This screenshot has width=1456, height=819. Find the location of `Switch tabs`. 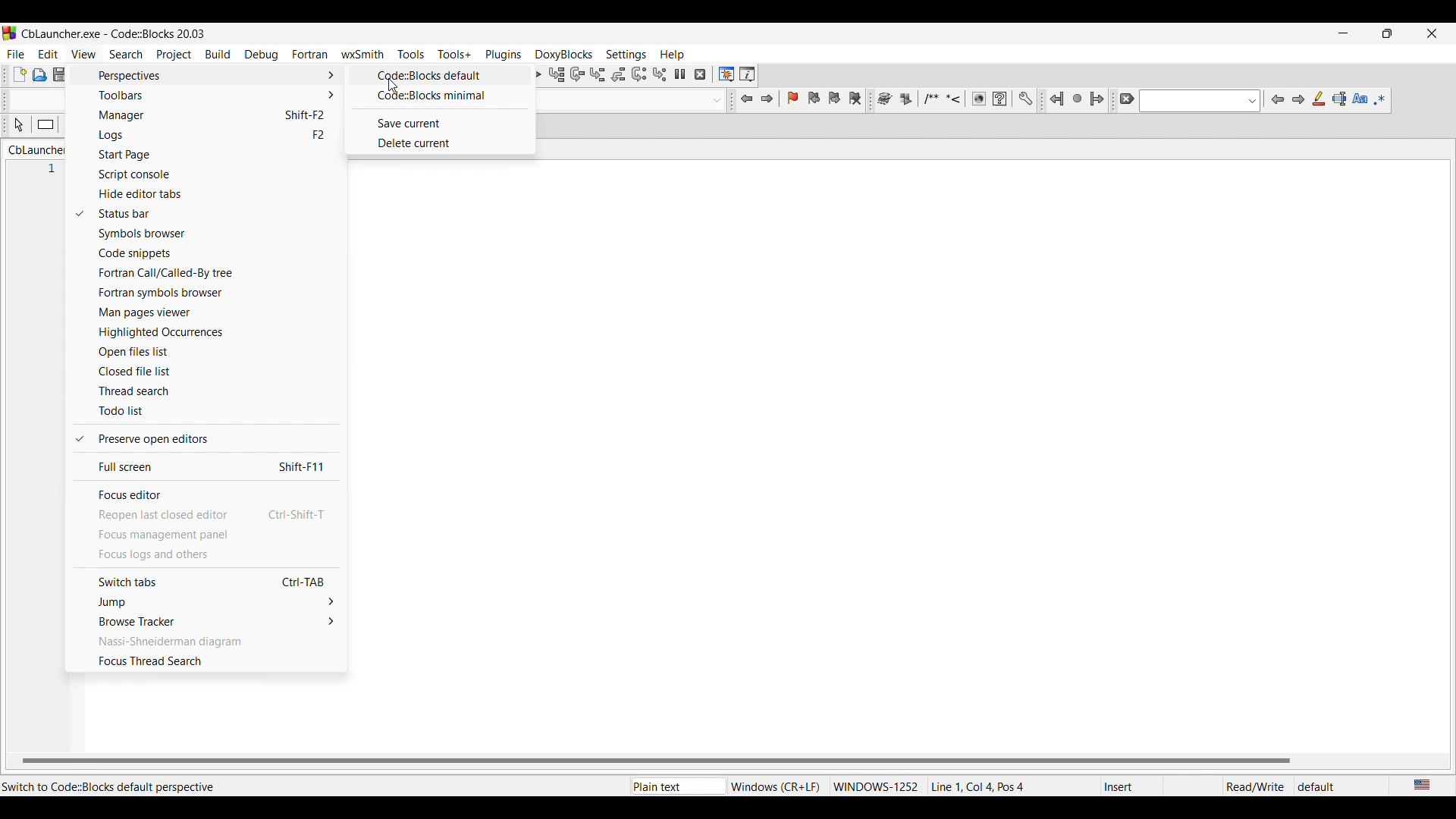

Switch tabs is located at coordinates (208, 581).